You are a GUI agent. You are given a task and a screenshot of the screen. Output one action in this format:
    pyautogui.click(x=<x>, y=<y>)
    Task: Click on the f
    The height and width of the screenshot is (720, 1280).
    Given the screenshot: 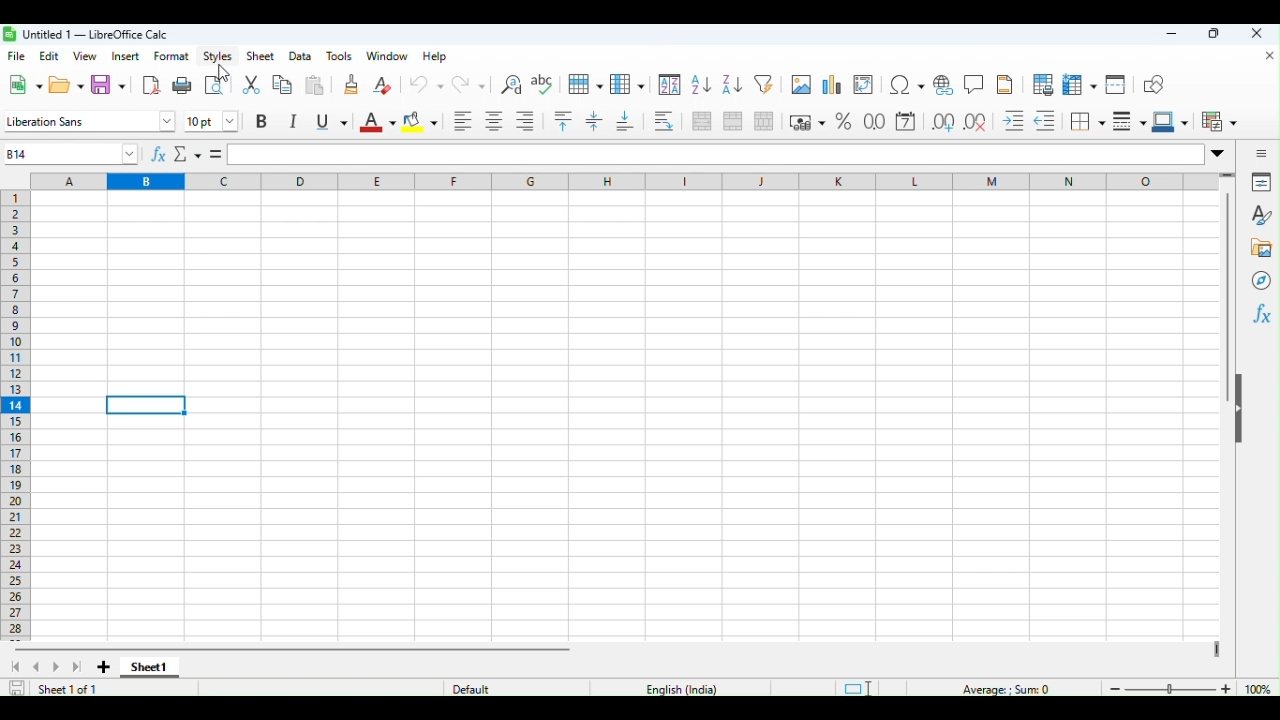 What is the action you would take?
    pyautogui.click(x=459, y=181)
    